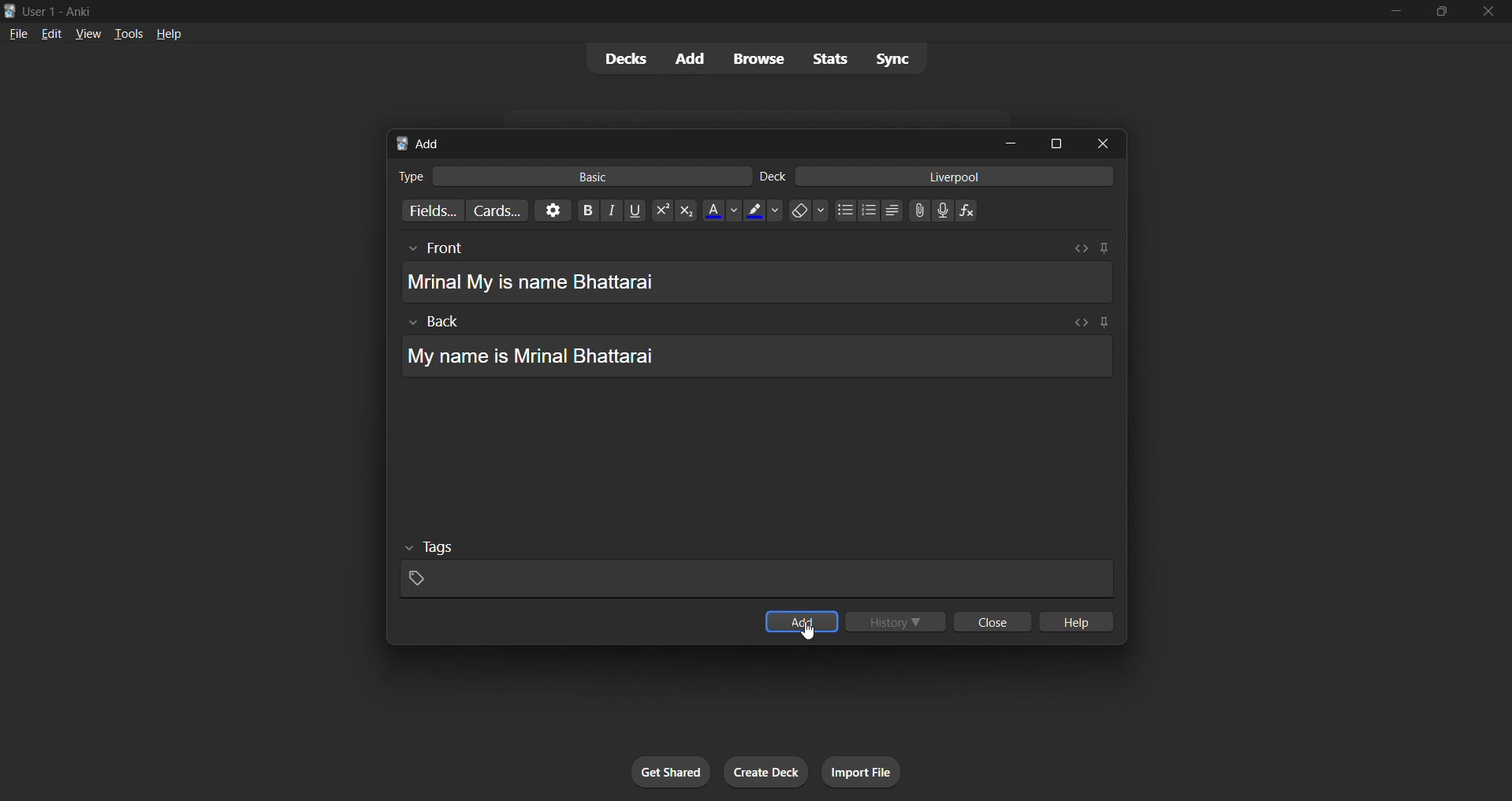  Describe the element at coordinates (685, 59) in the screenshot. I see `add` at that location.